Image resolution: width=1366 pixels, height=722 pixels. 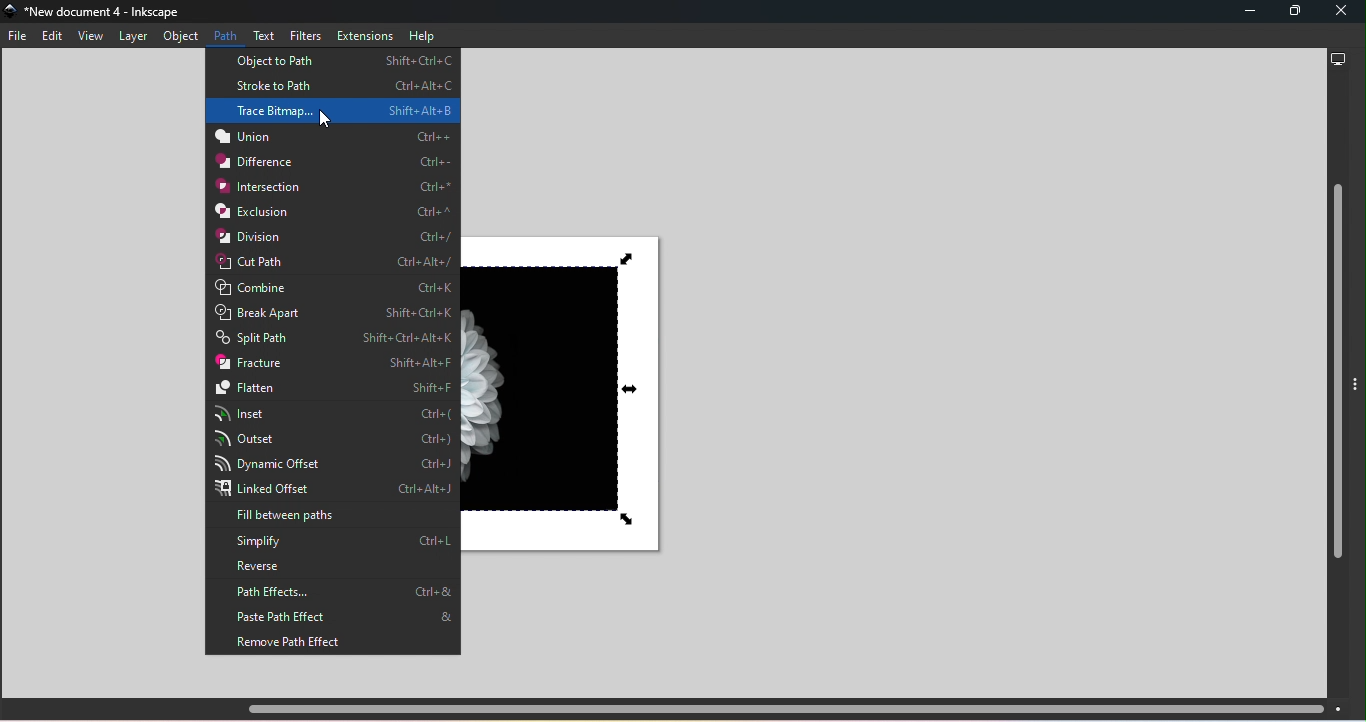 I want to click on Fracture , so click(x=334, y=362).